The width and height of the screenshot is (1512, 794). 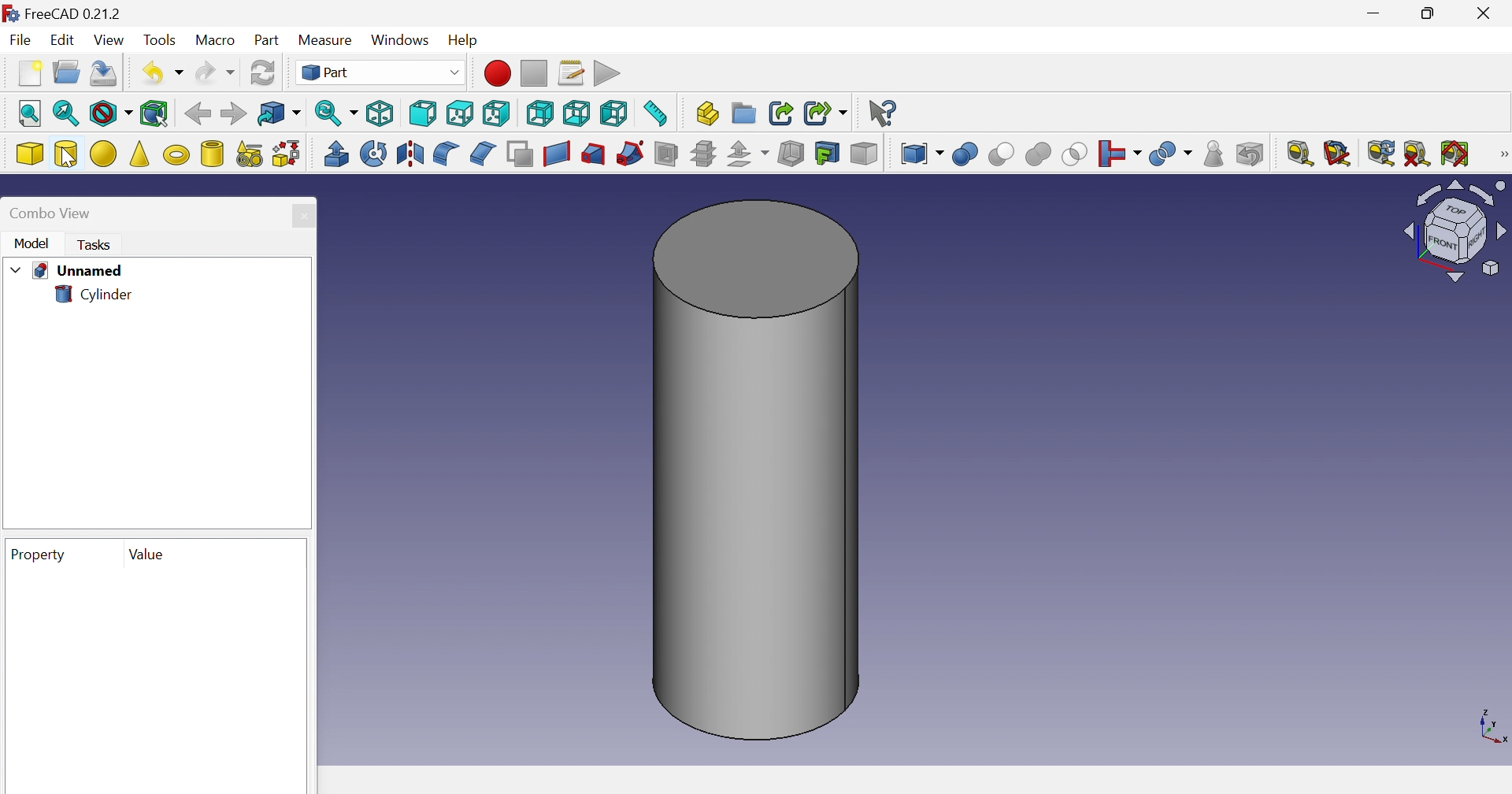 I want to click on Make sub-link, so click(x=826, y=114).